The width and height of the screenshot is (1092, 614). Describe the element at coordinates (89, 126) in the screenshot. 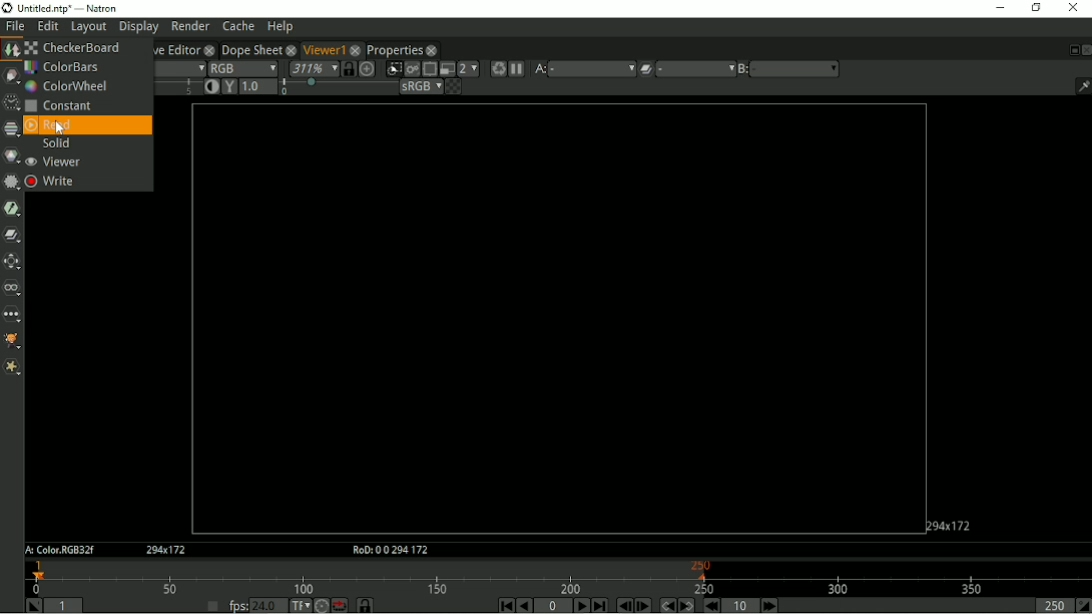

I see `Read` at that location.